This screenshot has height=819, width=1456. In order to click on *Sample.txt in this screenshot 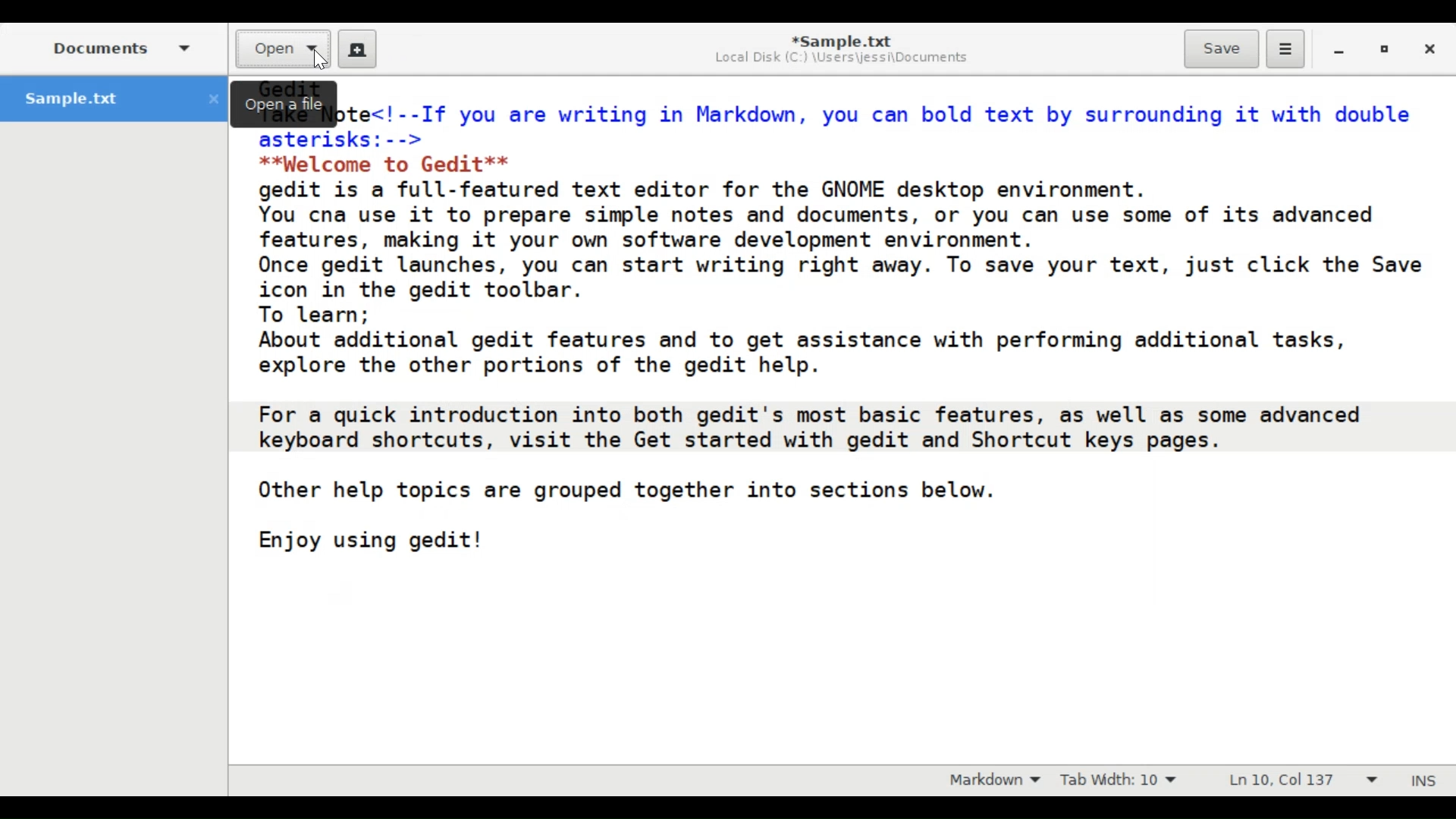, I will do `click(839, 39)`.